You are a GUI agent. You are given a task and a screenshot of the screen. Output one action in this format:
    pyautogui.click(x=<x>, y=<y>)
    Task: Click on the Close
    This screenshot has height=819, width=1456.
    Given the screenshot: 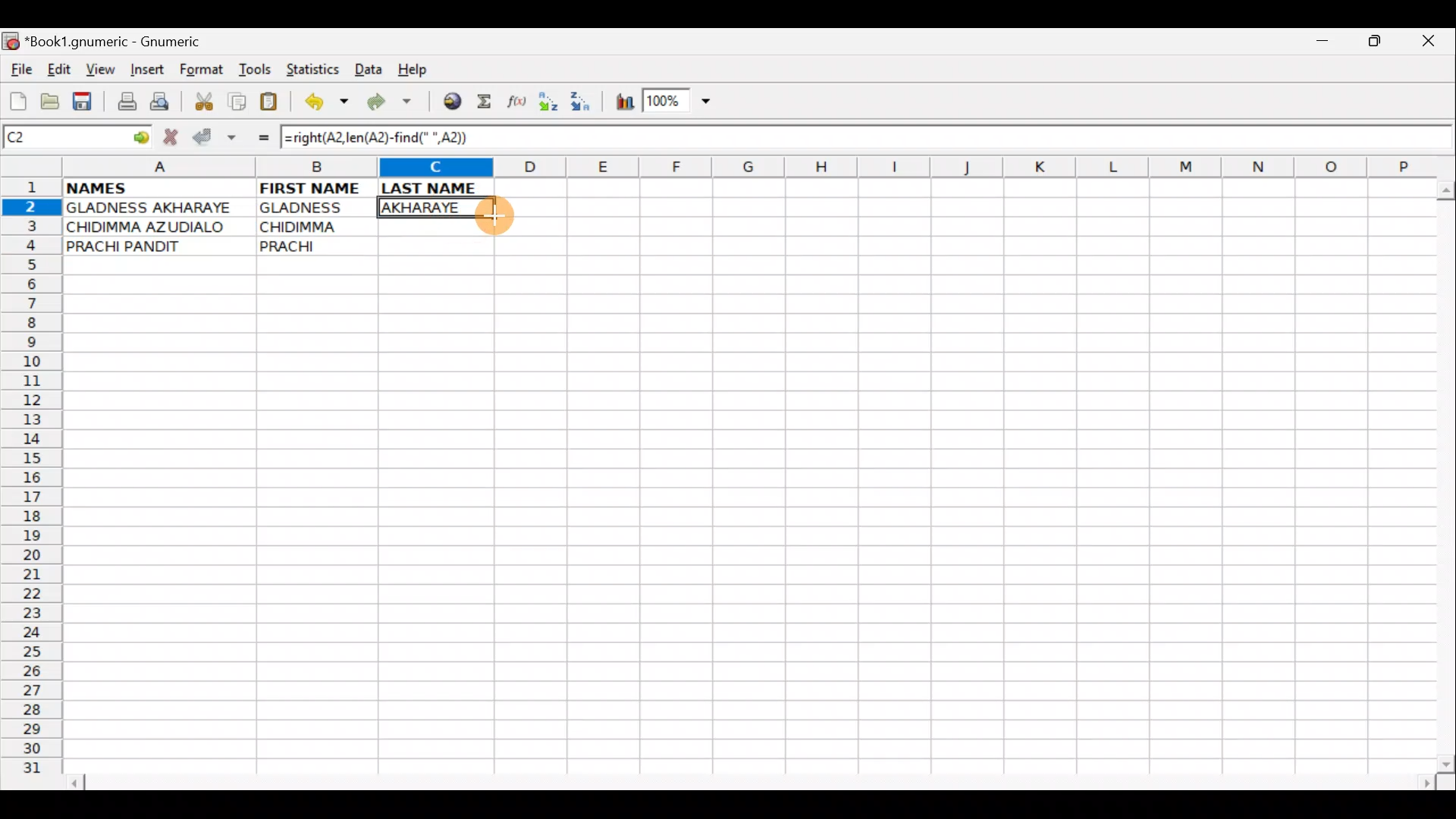 What is the action you would take?
    pyautogui.click(x=1432, y=45)
    